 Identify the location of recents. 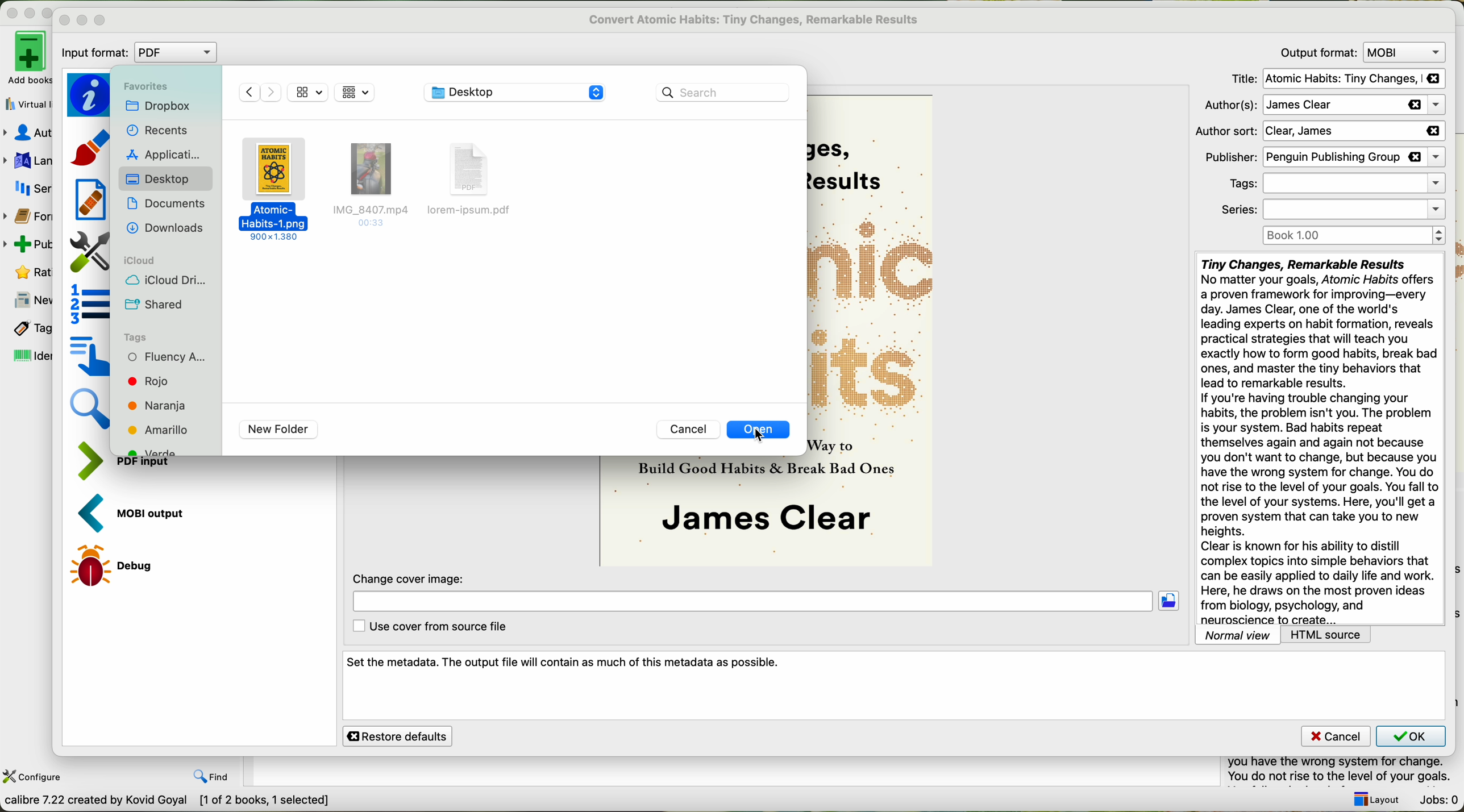
(159, 130).